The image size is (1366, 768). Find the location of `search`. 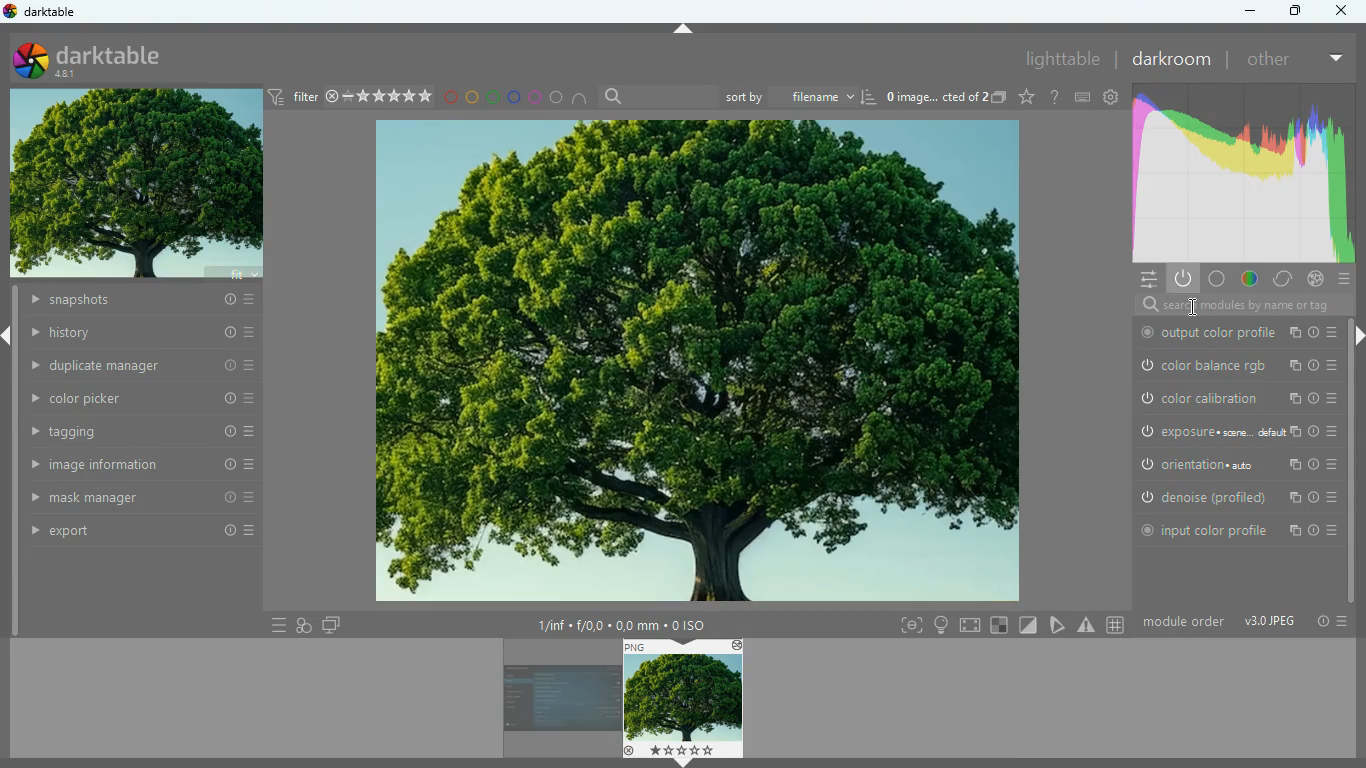

search is located at coordinates (1236, 305).